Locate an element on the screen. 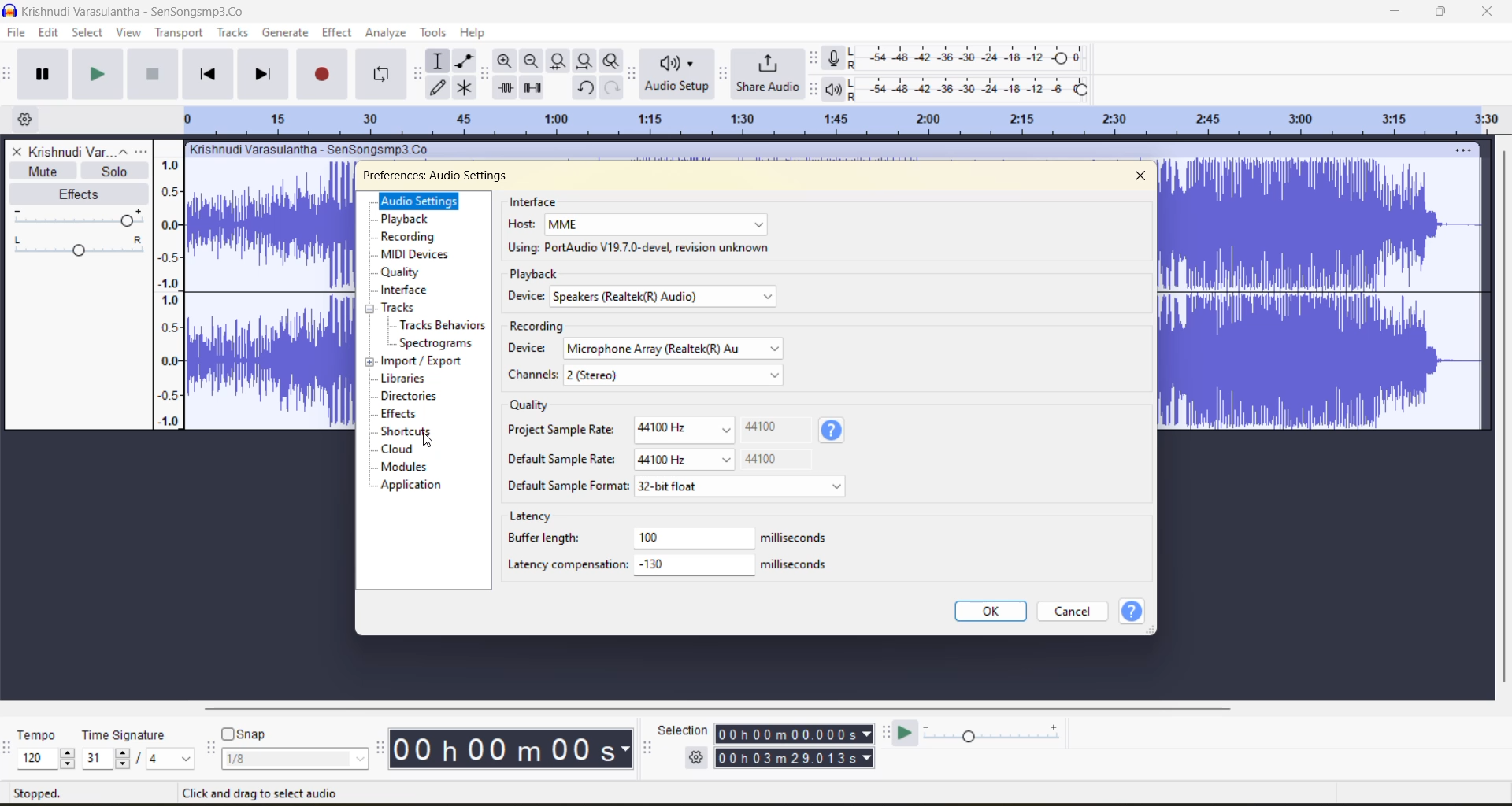 The height and width of the screenshot is (806, 1512). file name and app name is located at coordinates (132, 10).